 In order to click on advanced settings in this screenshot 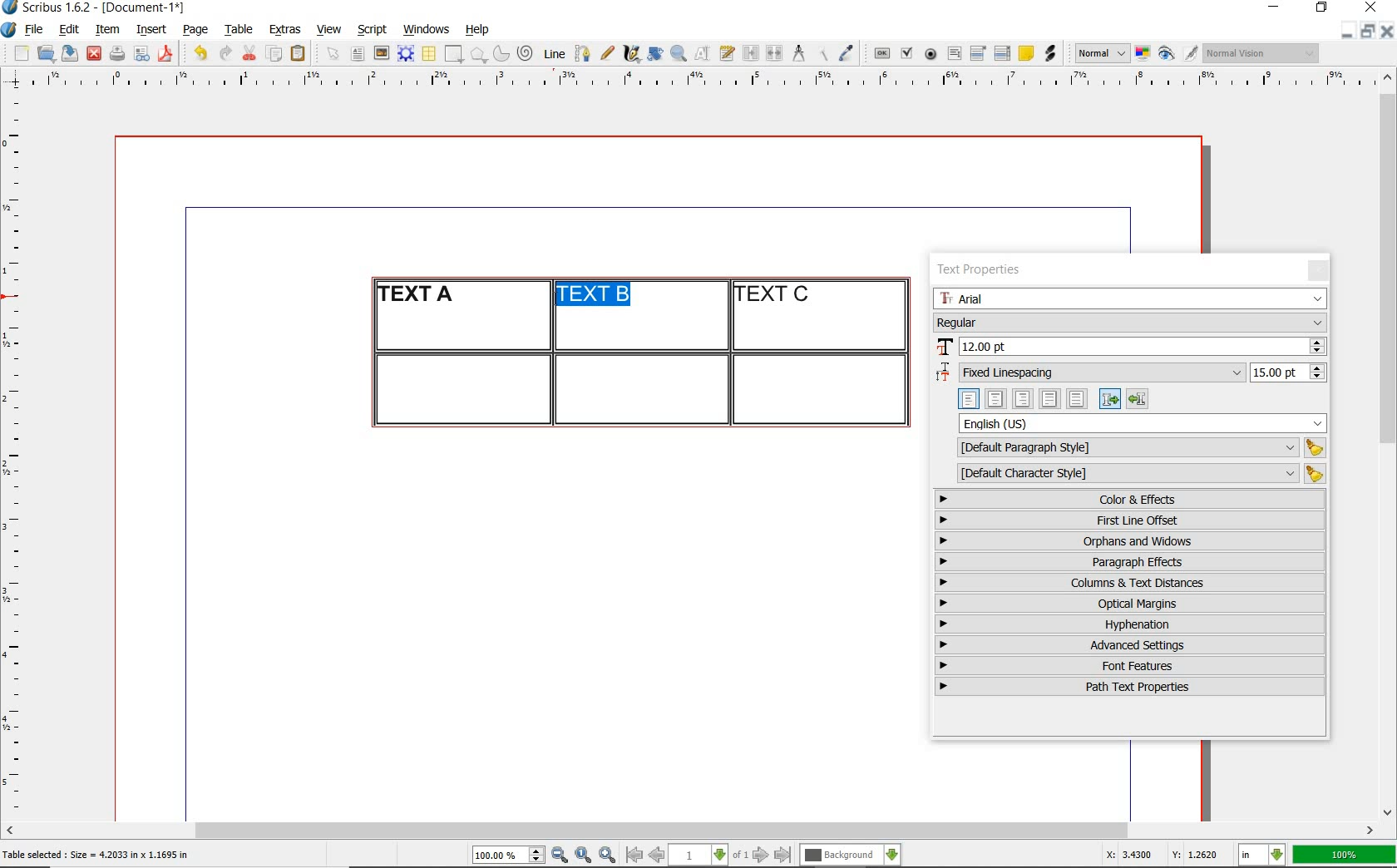, I will do `click(1128, 644)`.